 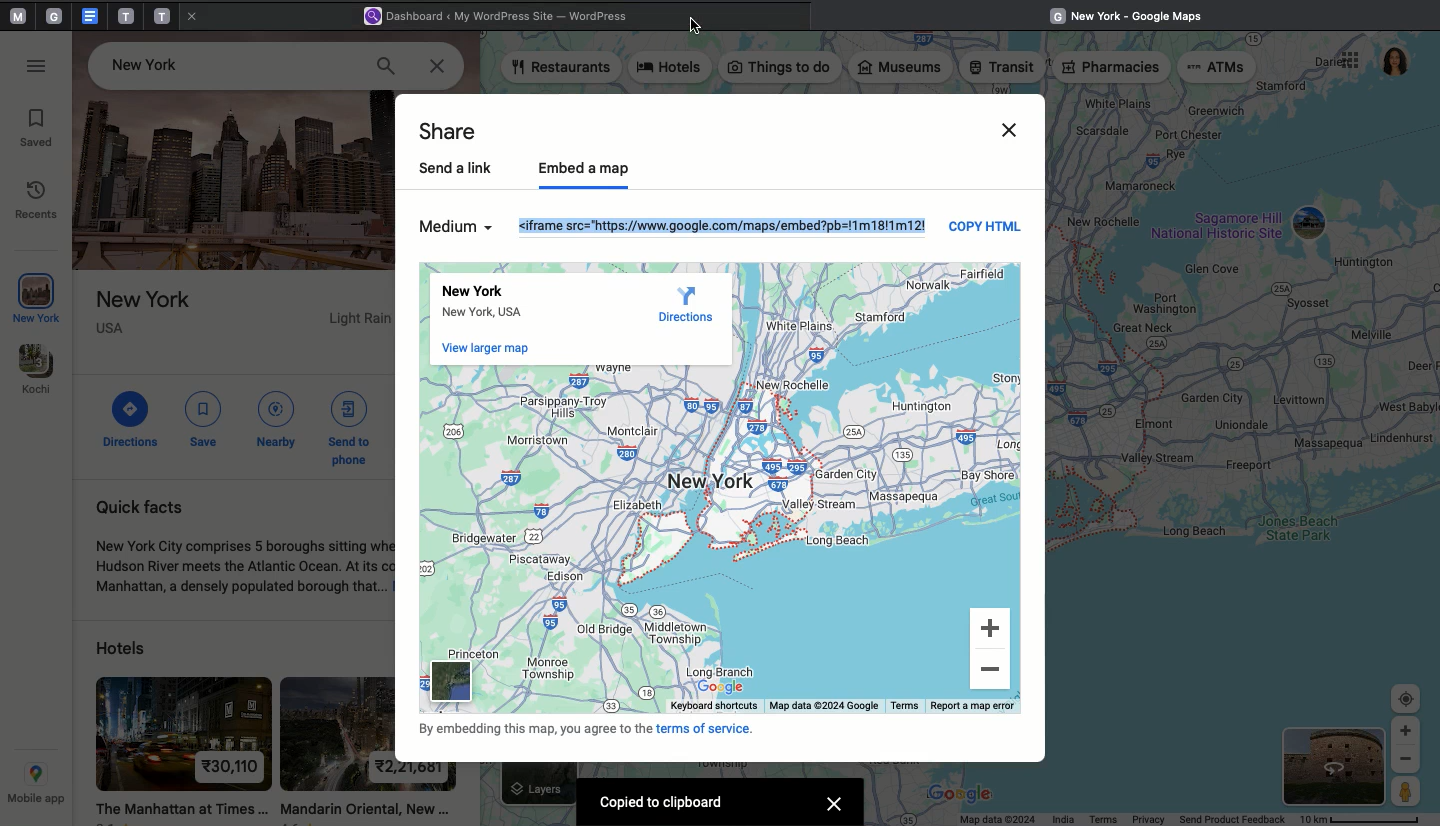 I want to click on Hotels, so click(x=116, y=648).